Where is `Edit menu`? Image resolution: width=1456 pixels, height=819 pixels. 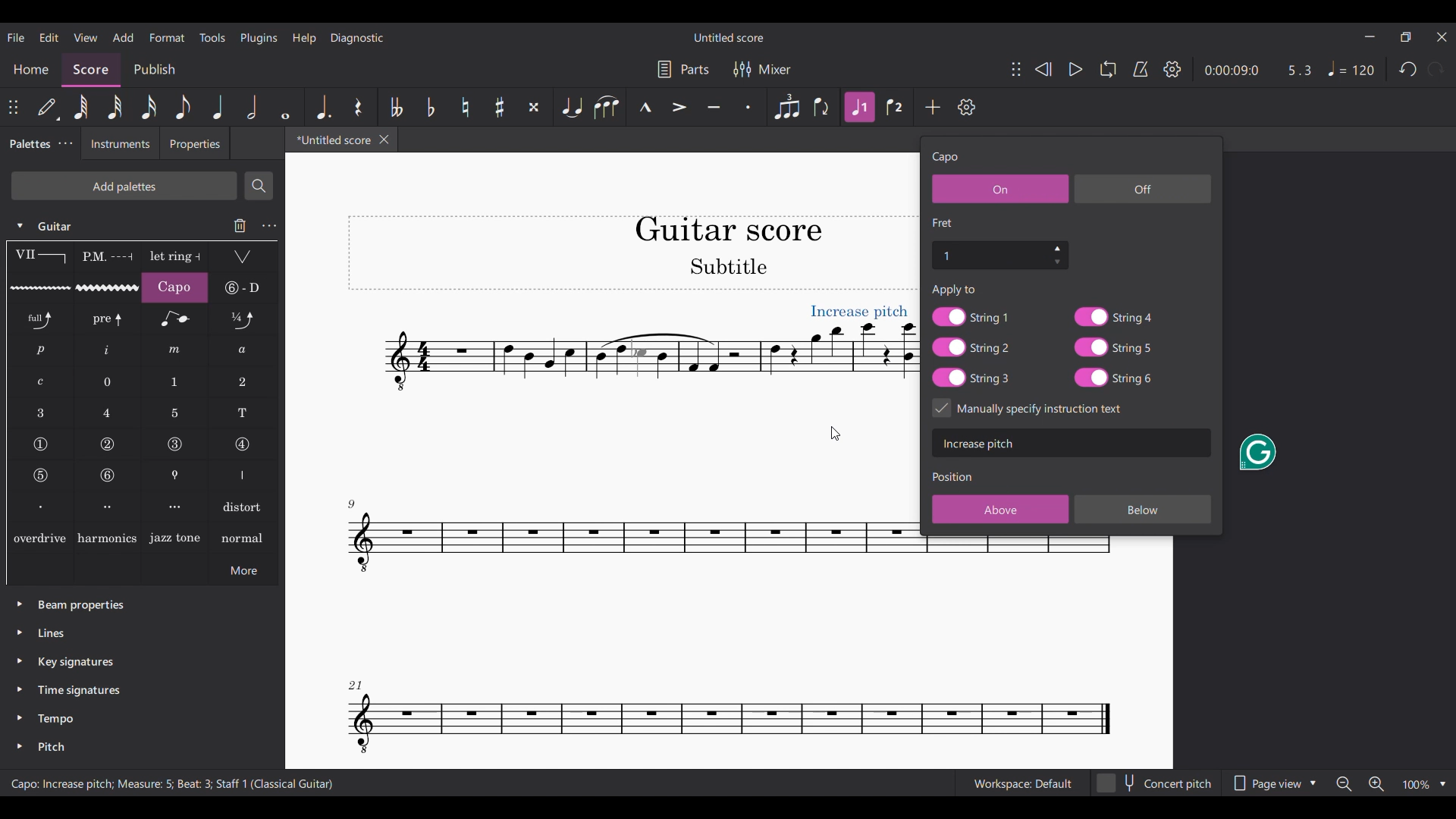 Edit menu is located at coordinates (49, 38).